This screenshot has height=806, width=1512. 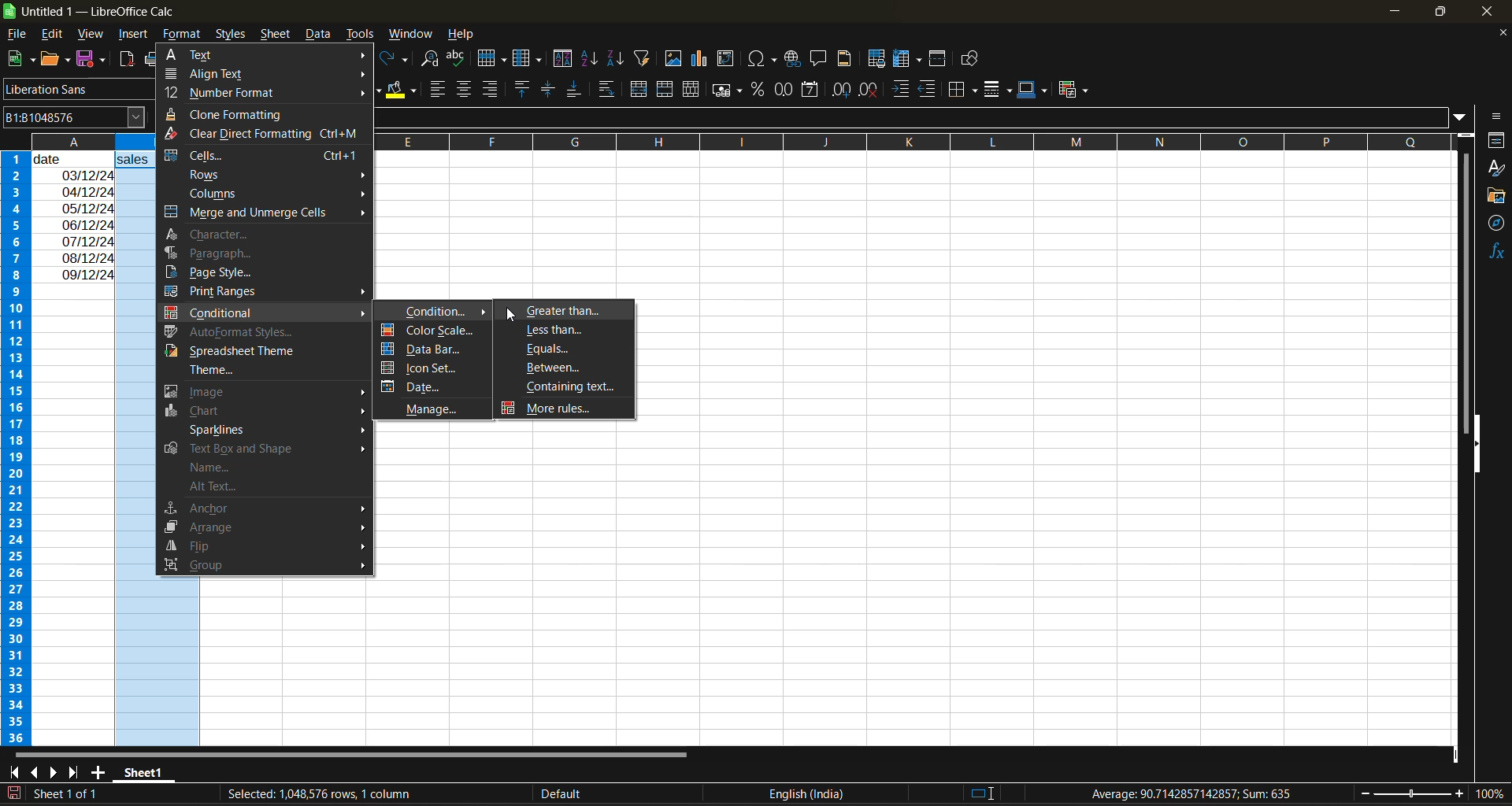 I want to click on less than, so click(x=569, y=331).